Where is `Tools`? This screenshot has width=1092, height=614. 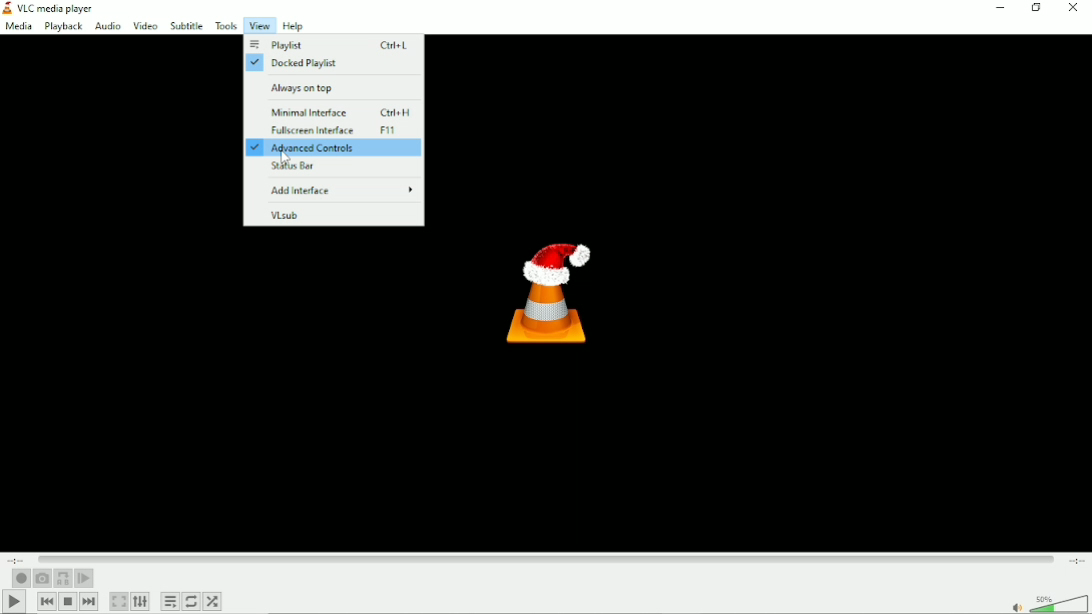
Tools is located at coordinates (226, 25).